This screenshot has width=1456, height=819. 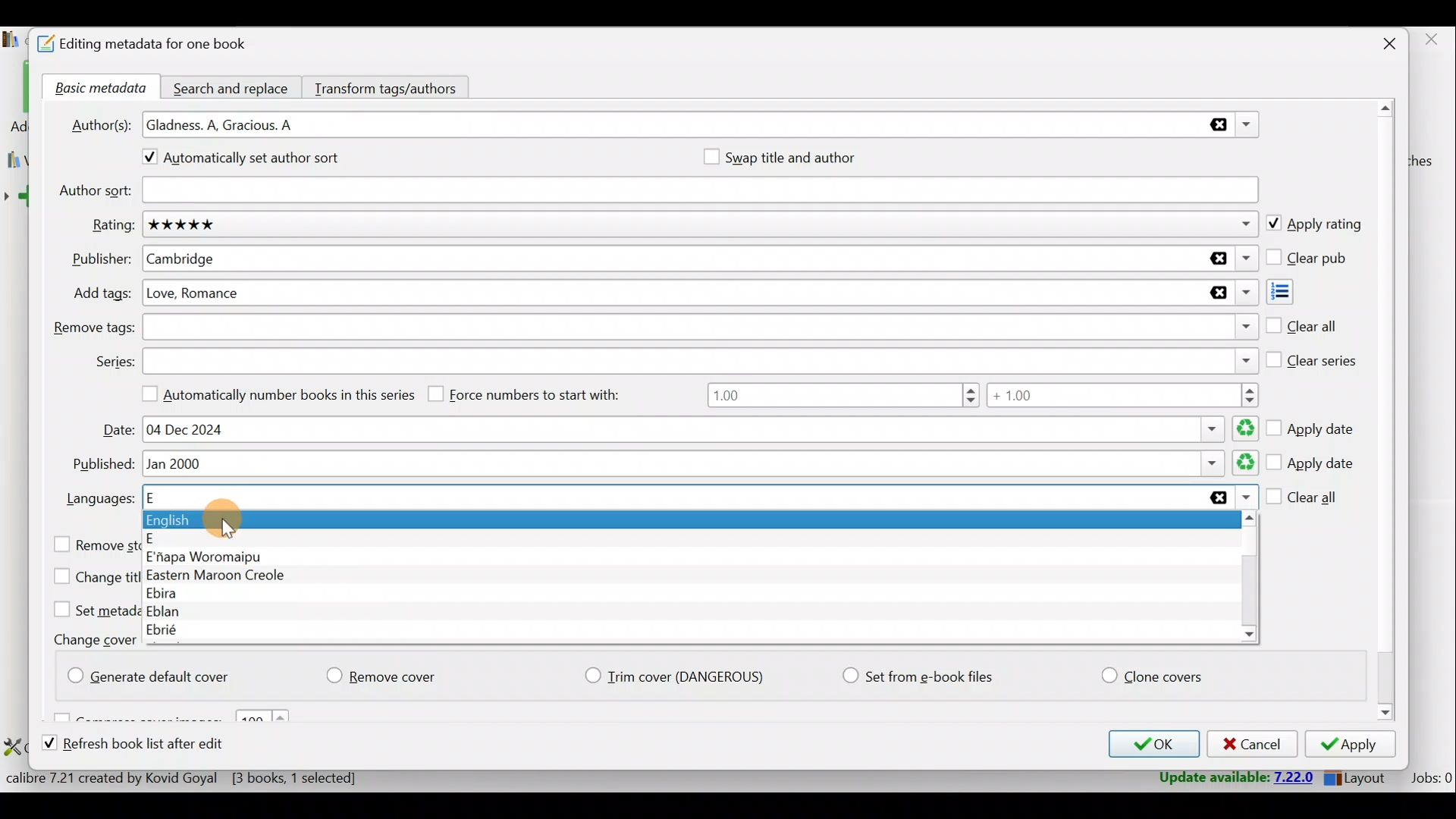 I want to click on Published, so click(x=701, y=465).